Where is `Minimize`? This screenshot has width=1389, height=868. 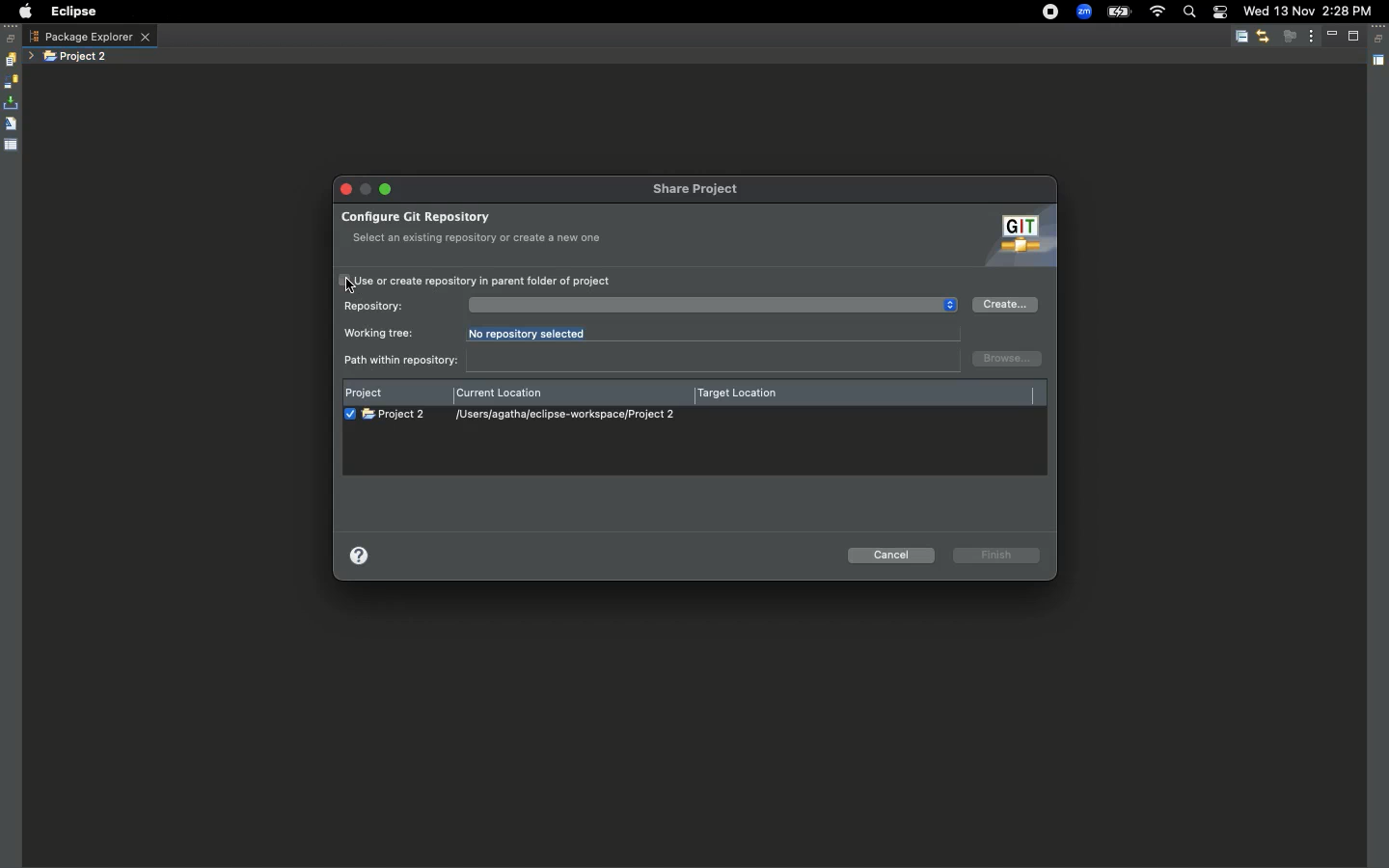 Minimize is located at coordinates (384, 189).